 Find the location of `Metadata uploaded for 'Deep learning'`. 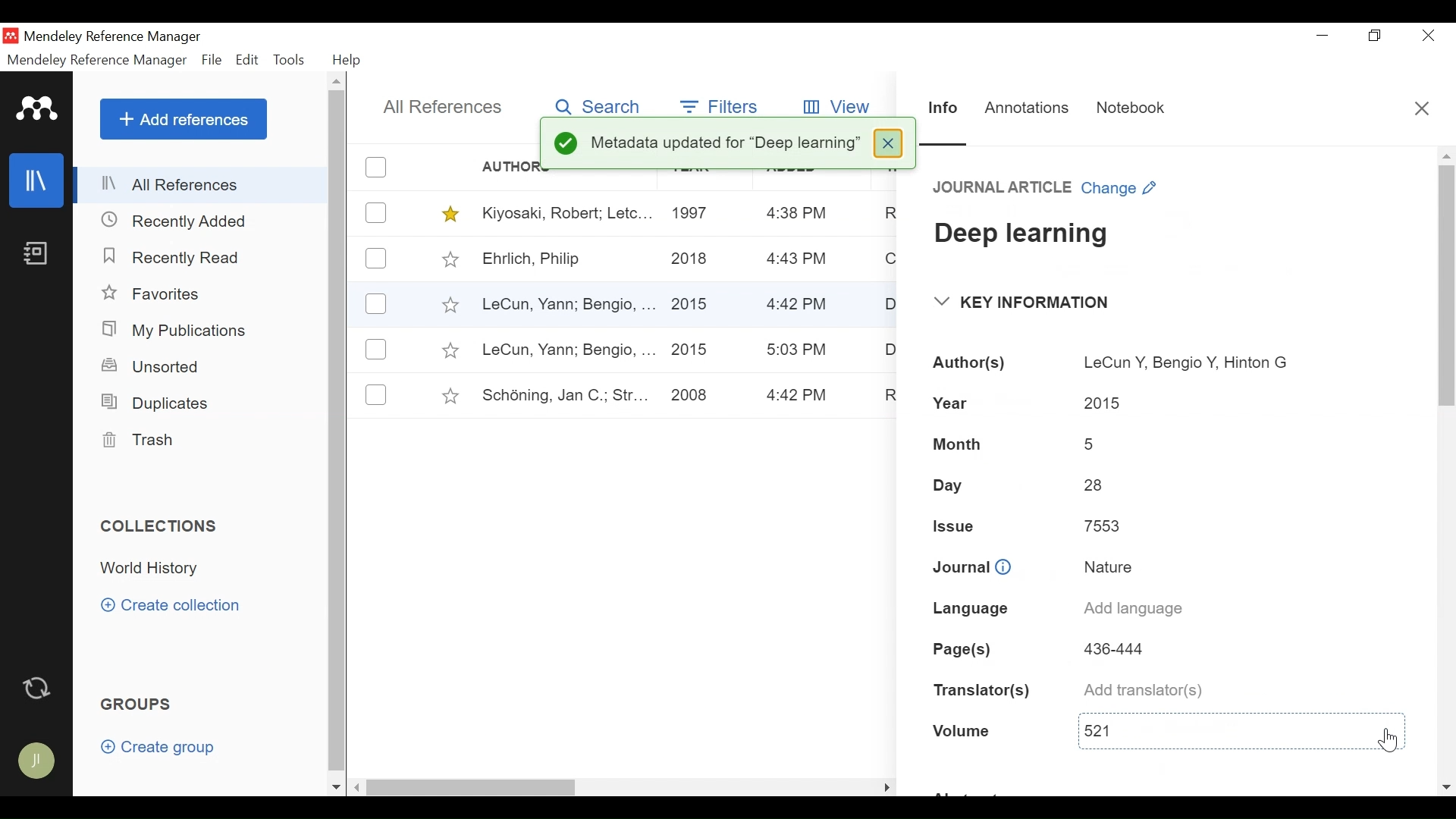

Metadata uploaded for 'Deep learning' is located at coordinates (728, 140).